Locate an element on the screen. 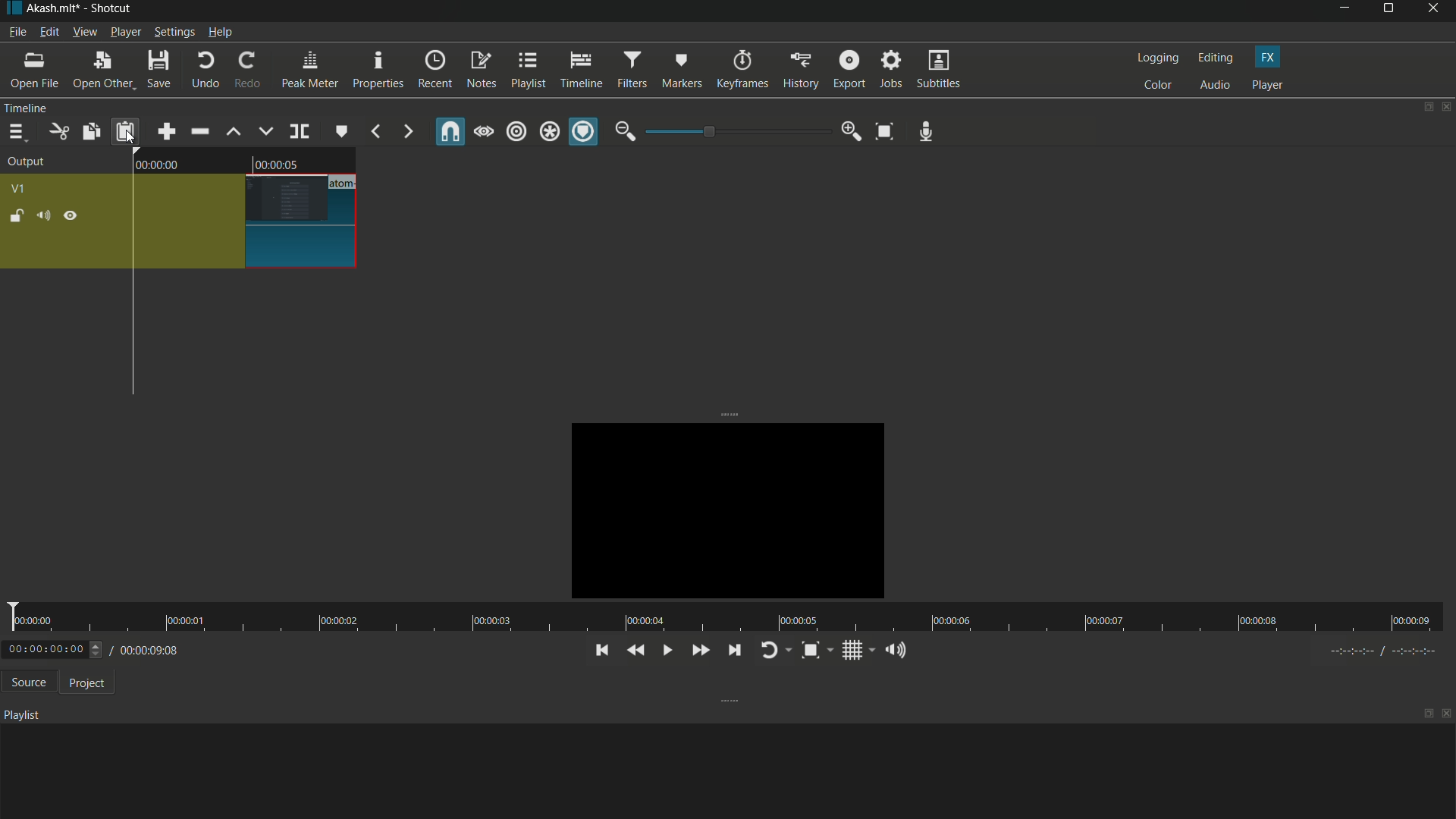 Image resolution: width=1456 pixels, height=819 pixels. toggle grid is located at coordinates (857, 650).